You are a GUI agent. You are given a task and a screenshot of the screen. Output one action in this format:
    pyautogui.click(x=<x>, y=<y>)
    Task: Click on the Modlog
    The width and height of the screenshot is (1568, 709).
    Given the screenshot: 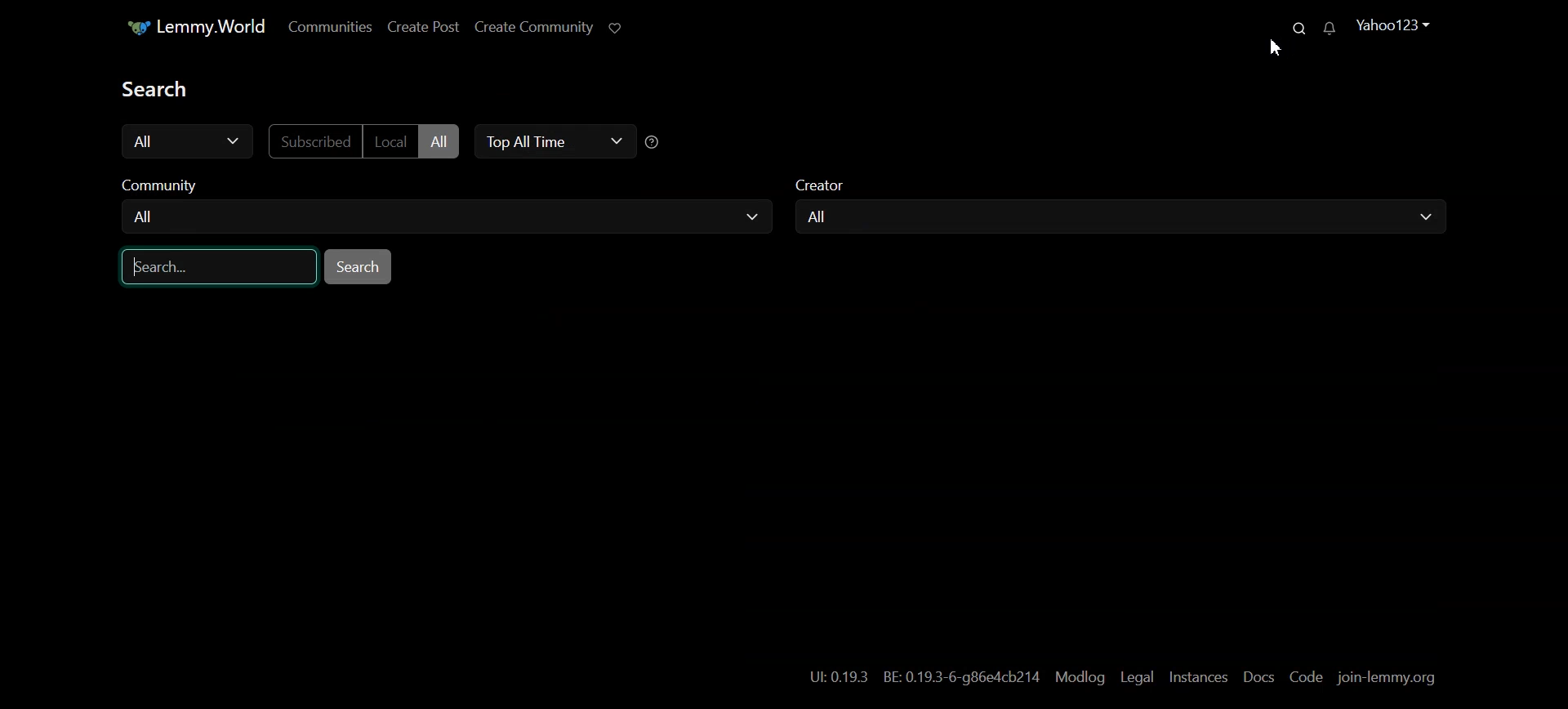 What is the action you would take?
    pyautogui.click(x=1080, y=677)
    